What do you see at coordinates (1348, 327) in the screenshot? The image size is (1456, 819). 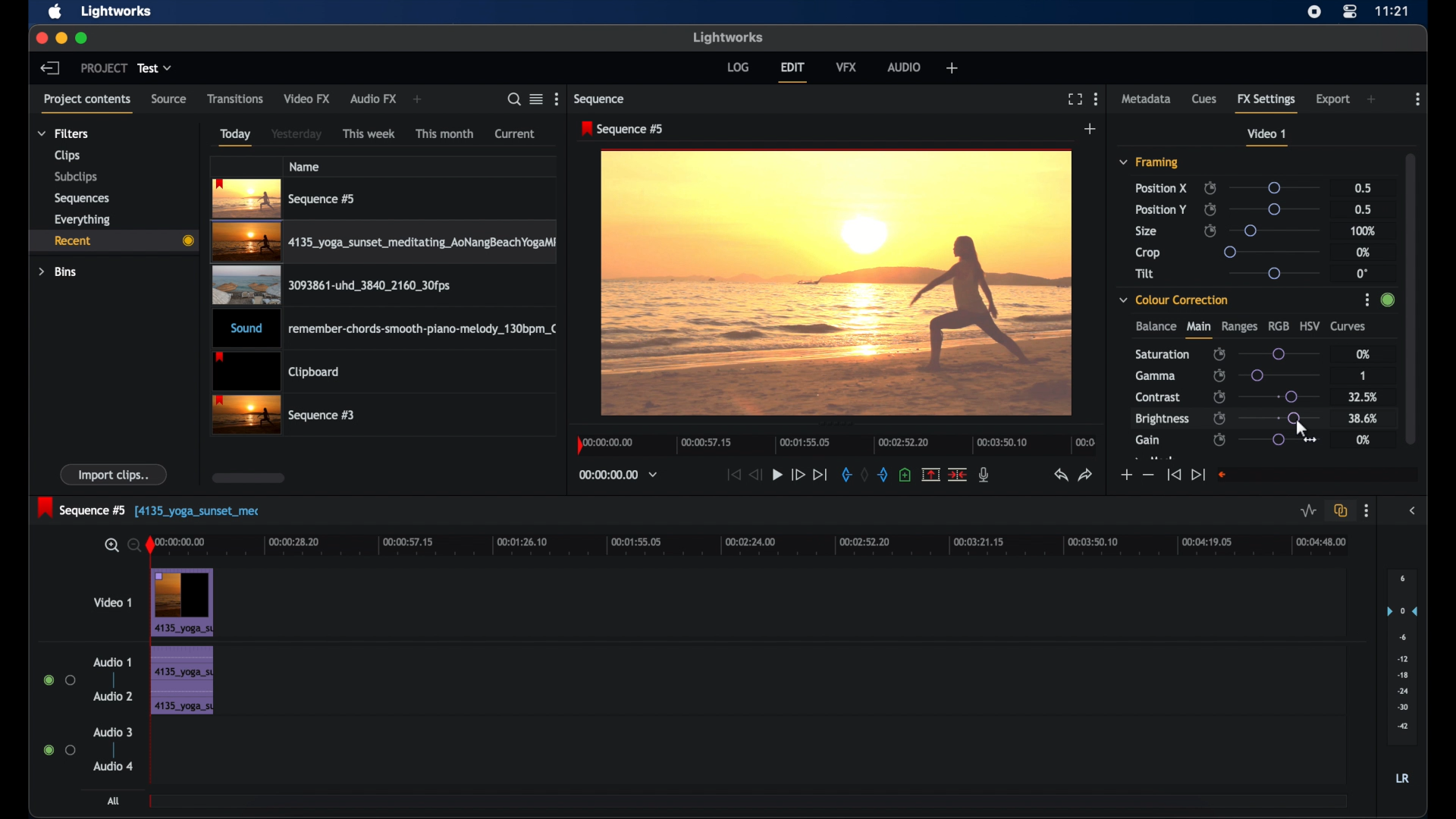 I see `curves` at bounding box center [1348, 327].